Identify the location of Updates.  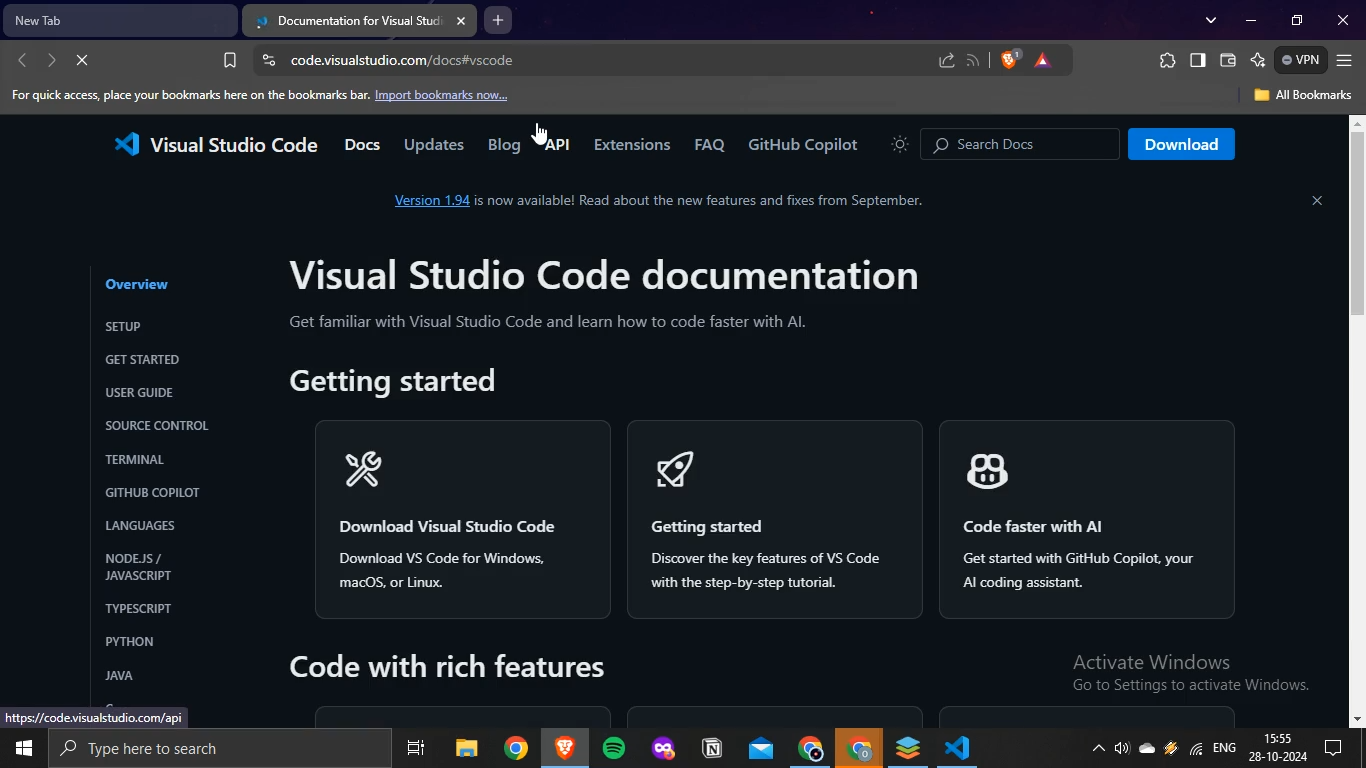
(435, 145).